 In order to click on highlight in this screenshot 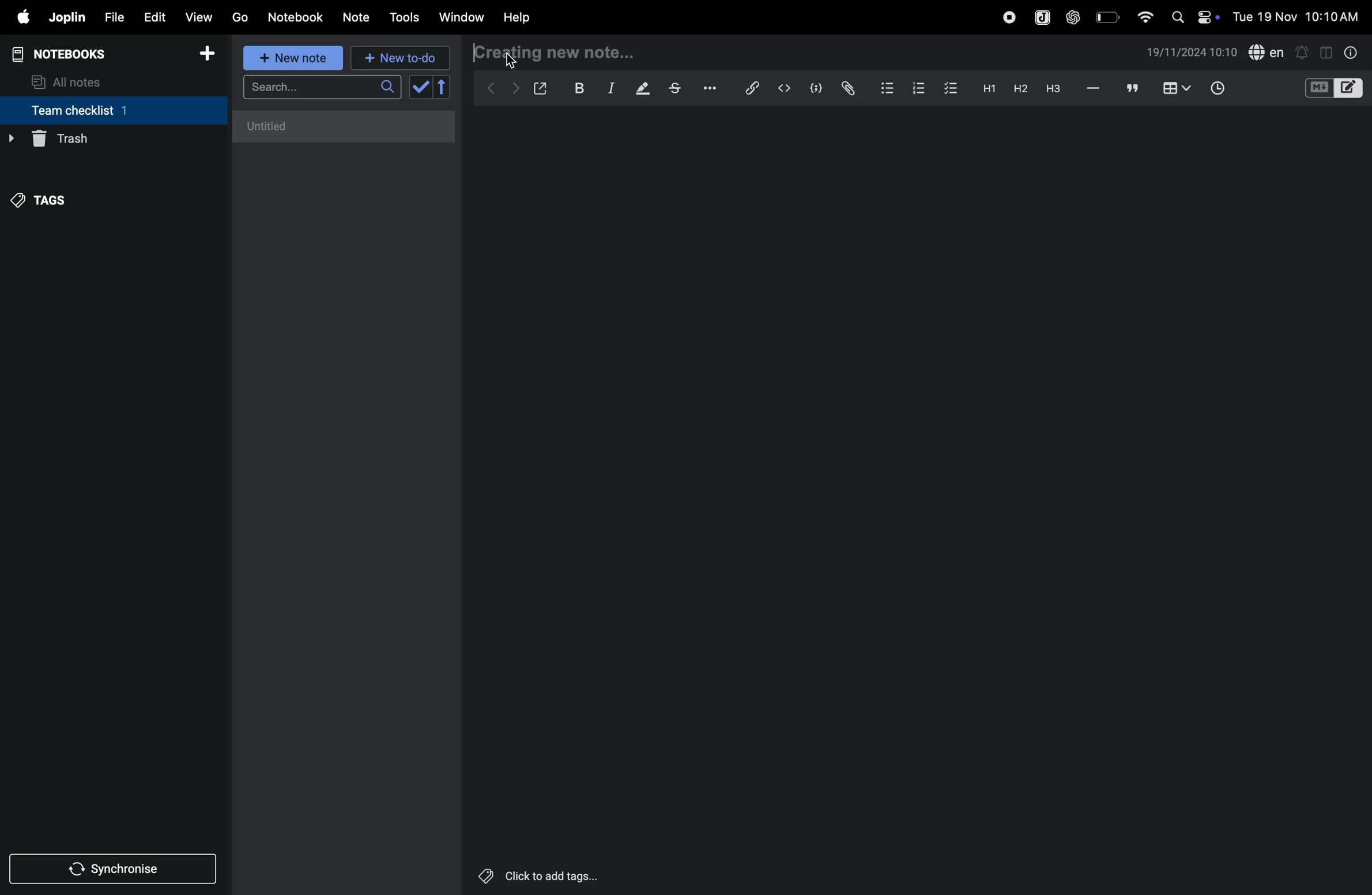, I will do `click(641, 89)`.